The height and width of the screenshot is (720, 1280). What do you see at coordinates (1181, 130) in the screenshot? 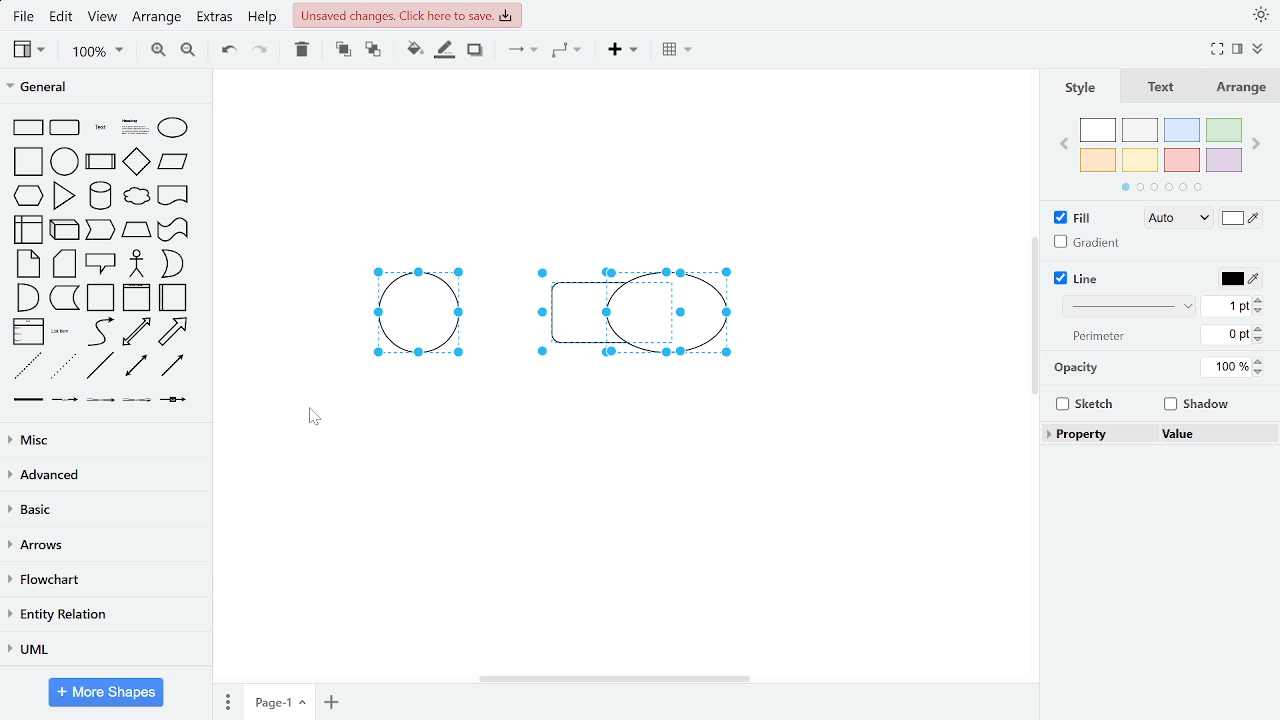
I see `blue` at bounding box center [1181, 130].